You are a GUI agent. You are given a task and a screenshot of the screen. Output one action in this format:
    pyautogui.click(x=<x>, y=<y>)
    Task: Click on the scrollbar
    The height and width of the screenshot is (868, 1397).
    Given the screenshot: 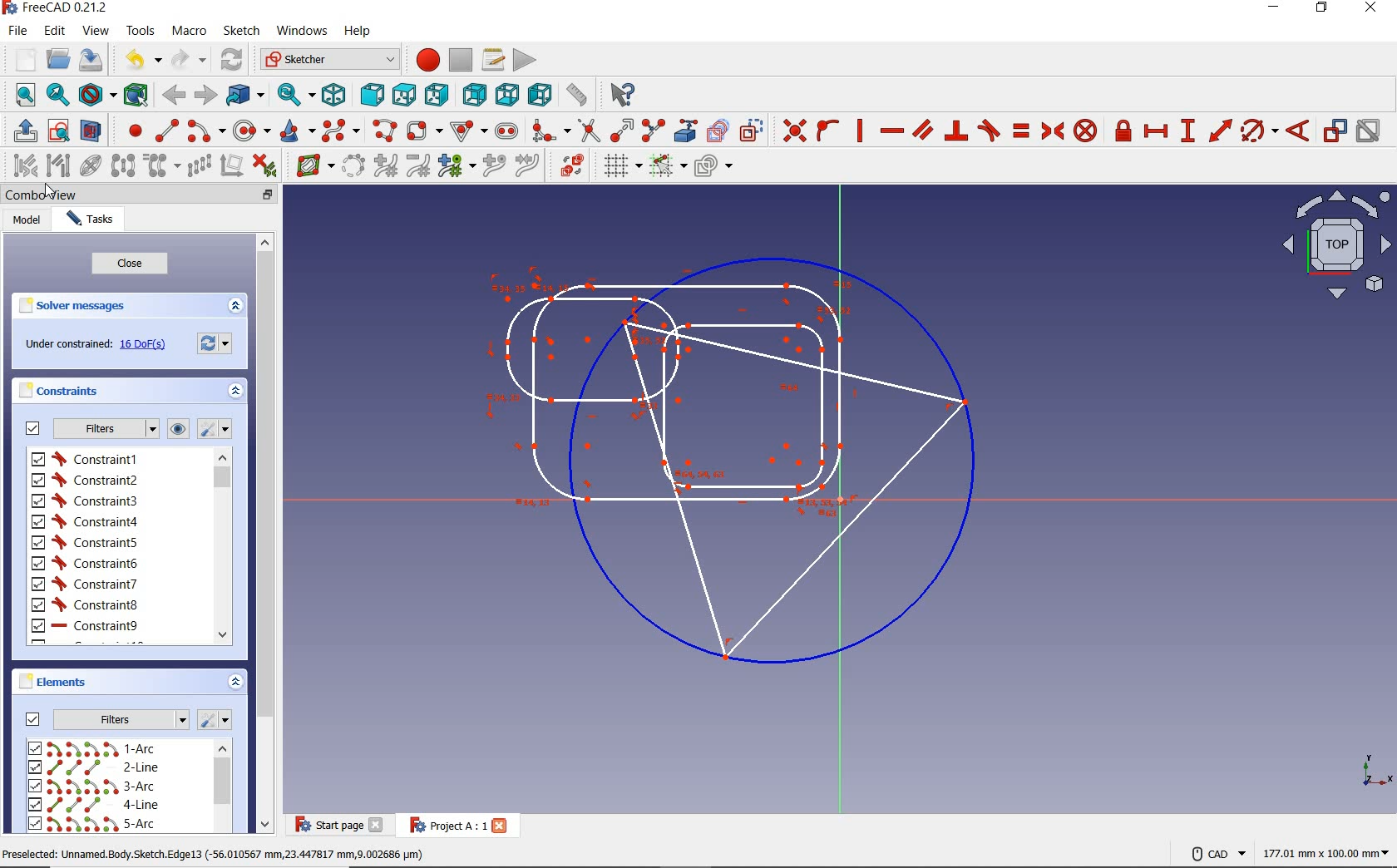 What is the action you would take?
    pyautogui.click(x=223, y=546)
    